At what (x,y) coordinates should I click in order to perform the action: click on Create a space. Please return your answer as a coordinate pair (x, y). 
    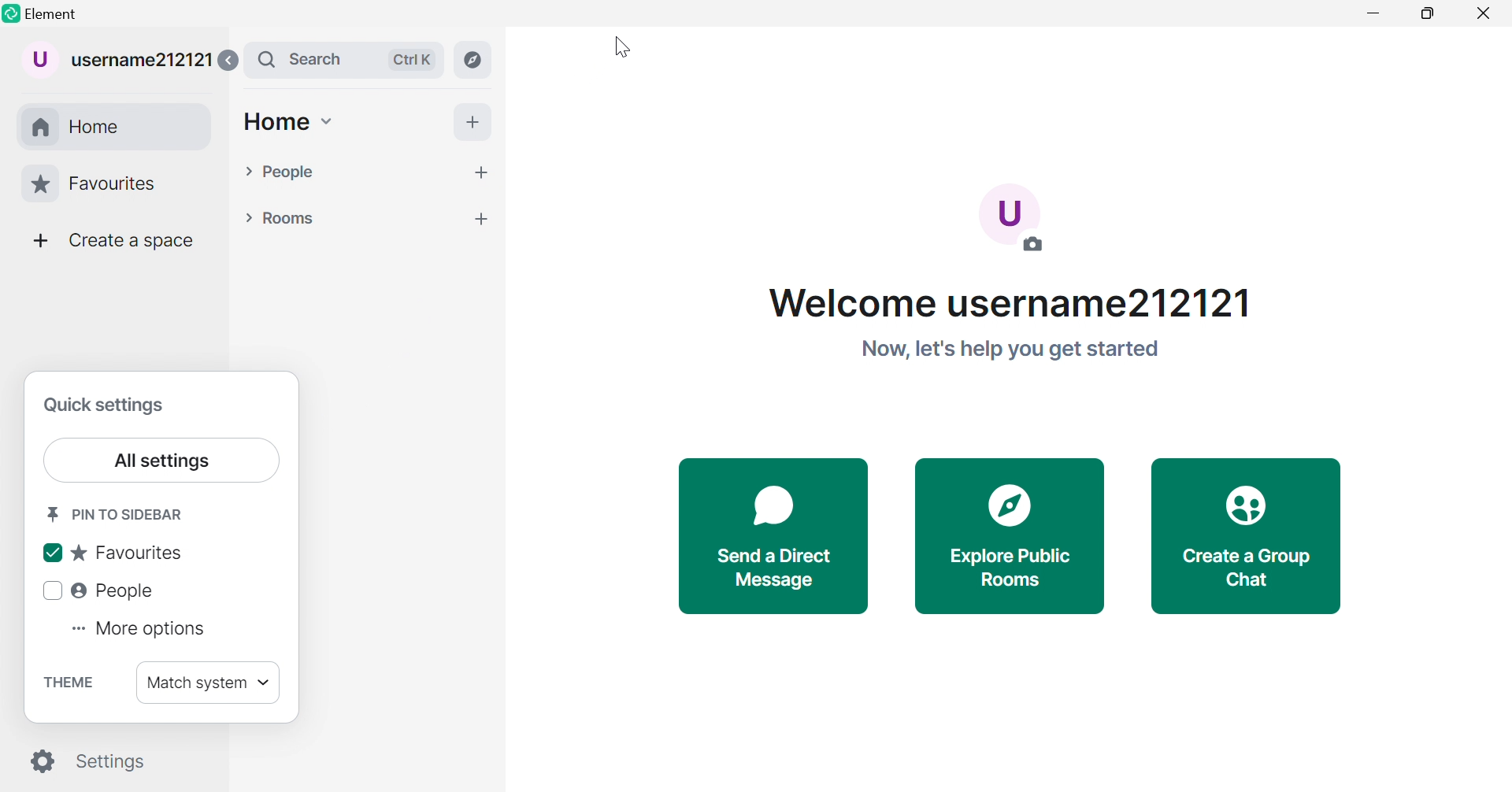
    Looking at the image, I should click on (117, 240).